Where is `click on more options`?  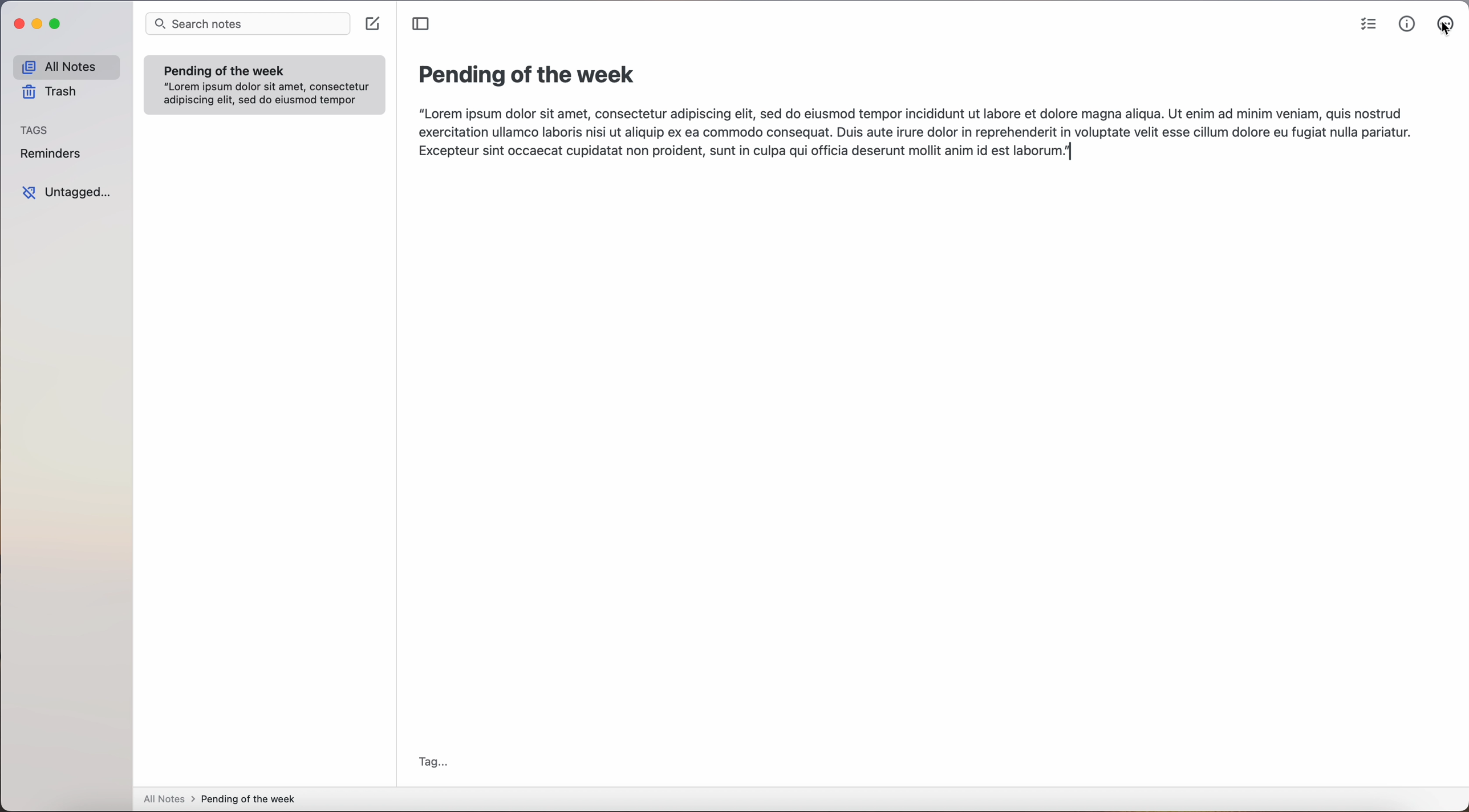 click on more options is located at coordinates (1447, 25).